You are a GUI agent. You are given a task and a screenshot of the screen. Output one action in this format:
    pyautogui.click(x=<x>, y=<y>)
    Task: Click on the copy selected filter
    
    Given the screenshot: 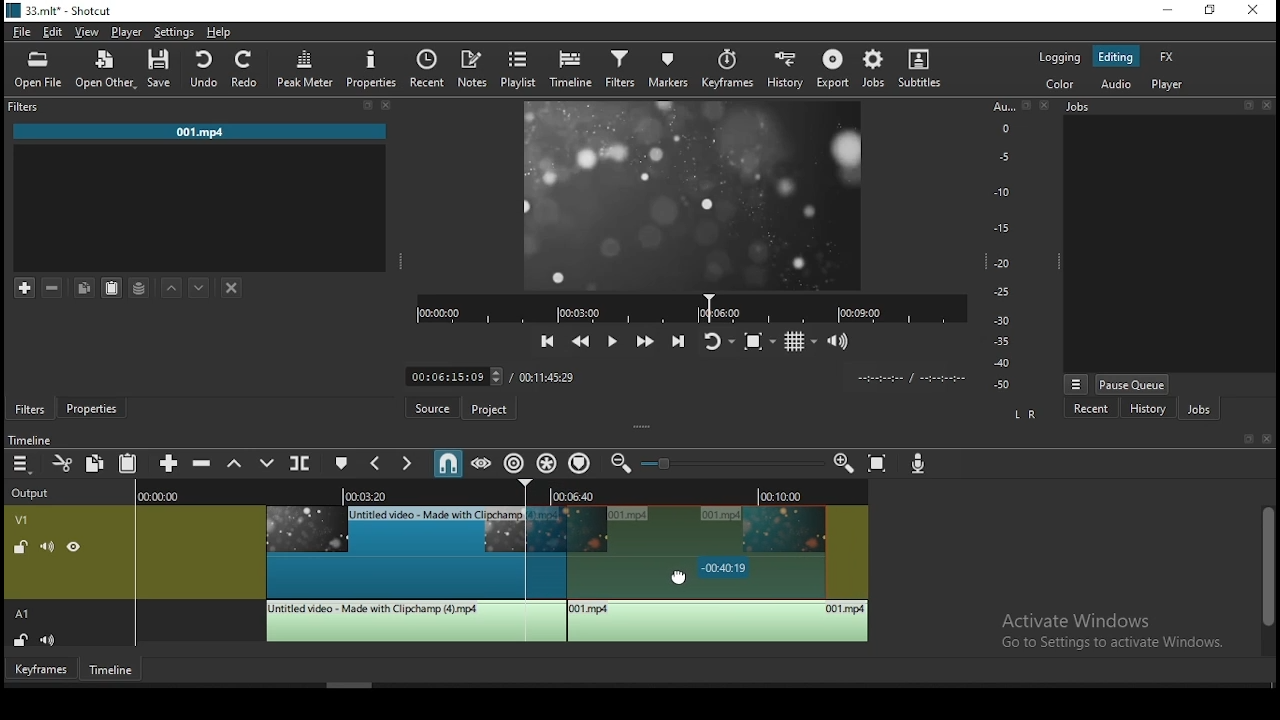 What is the action you would take?
    pyautogui.click(x=85, y=286)
    